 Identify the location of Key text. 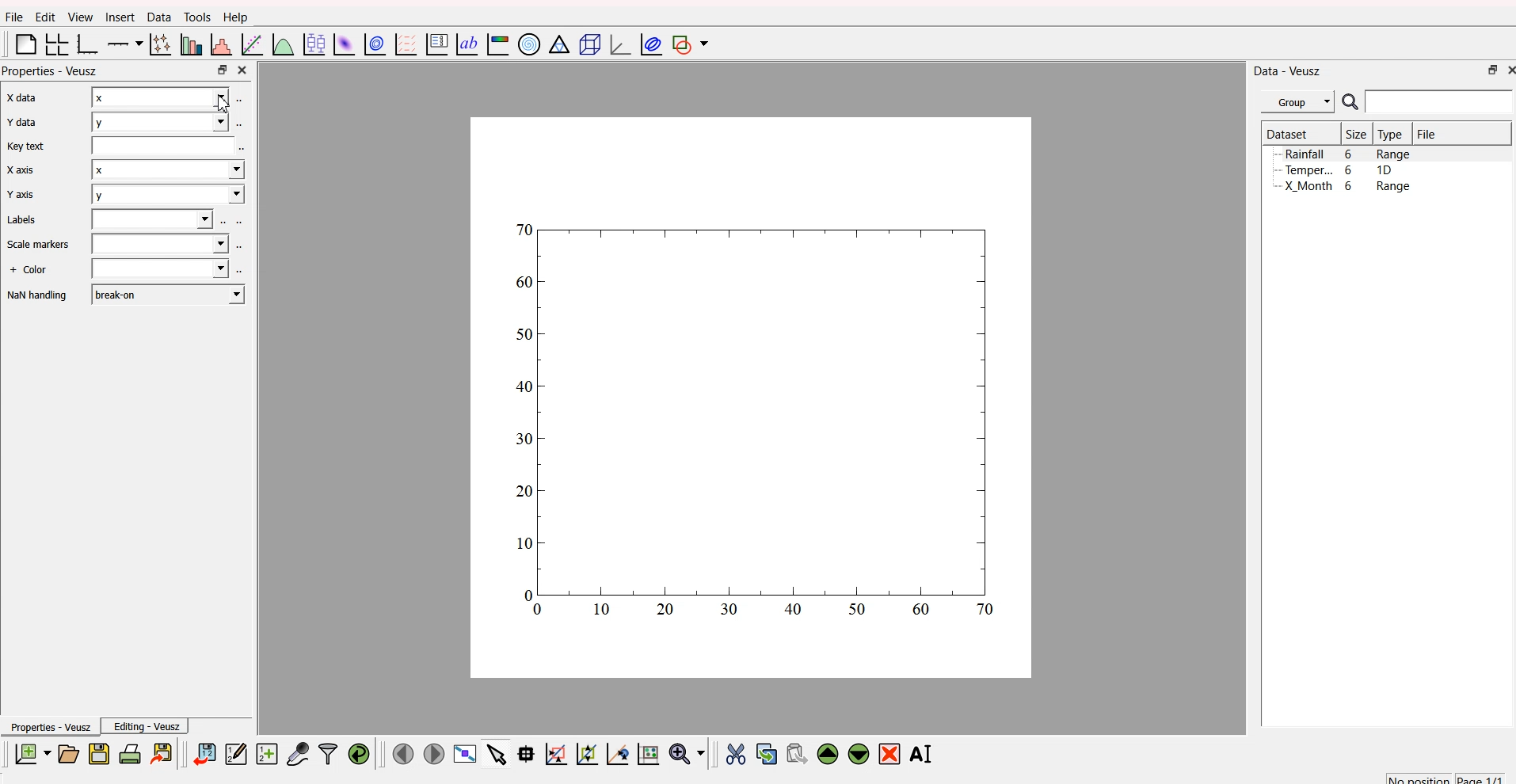
(27, 147).